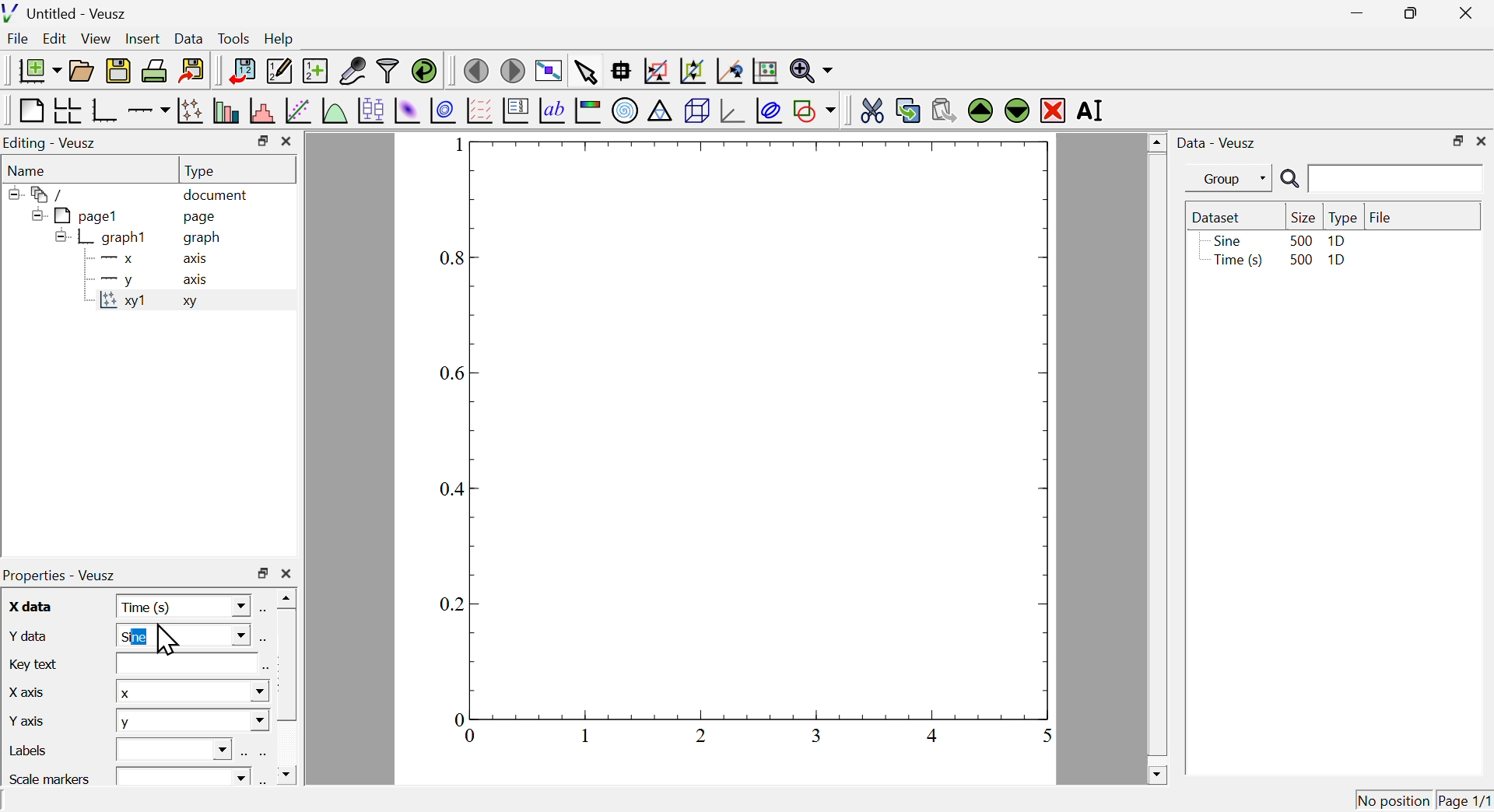  Describe the element at coordinates (226, 112) in the screenshot. I see `plot bar charts` at that location.